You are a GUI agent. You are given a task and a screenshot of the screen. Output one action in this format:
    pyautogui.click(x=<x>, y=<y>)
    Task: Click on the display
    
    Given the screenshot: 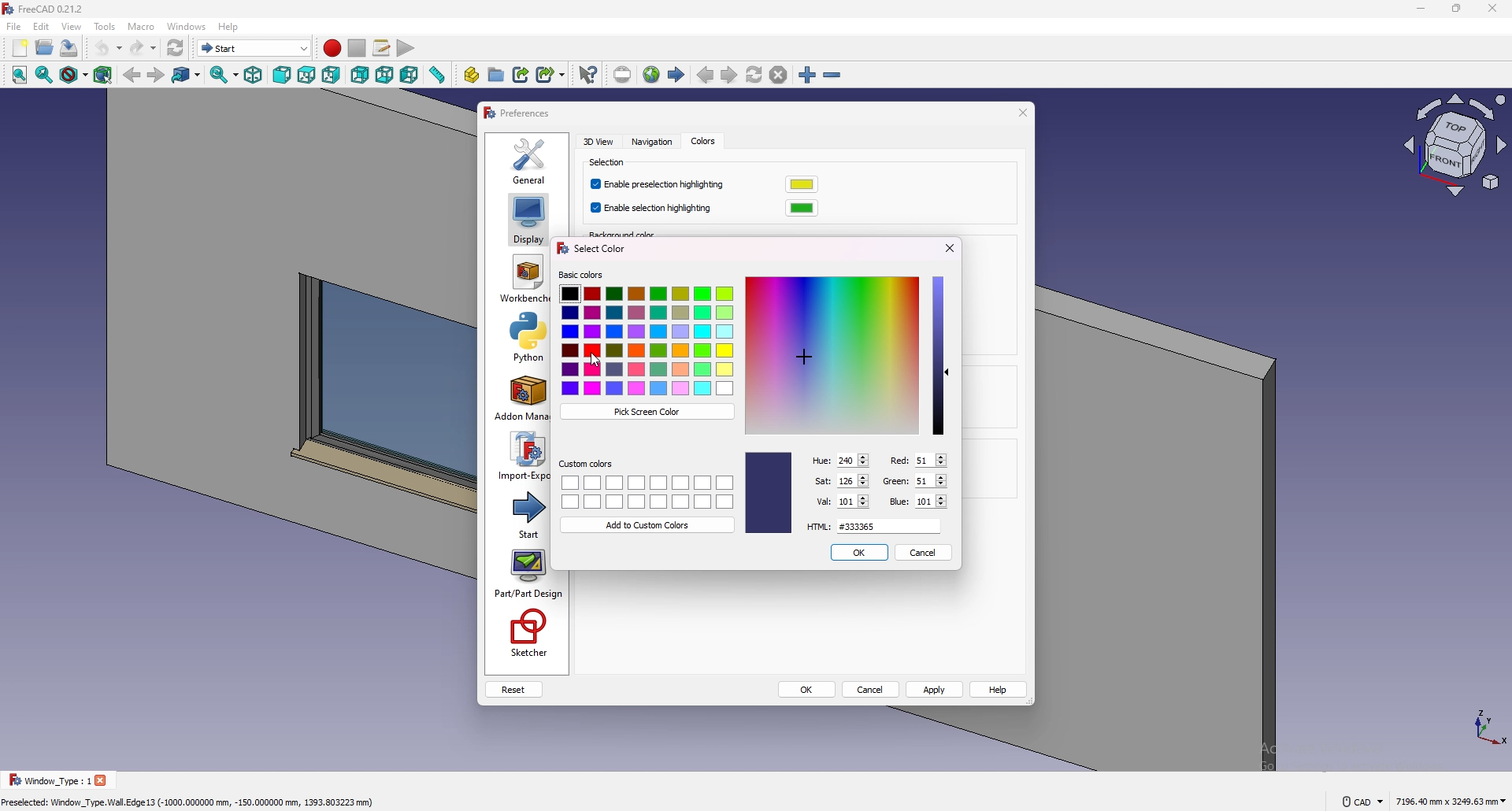 What is the action you would take?
    pyautogui.click(x=528, y=219)
    